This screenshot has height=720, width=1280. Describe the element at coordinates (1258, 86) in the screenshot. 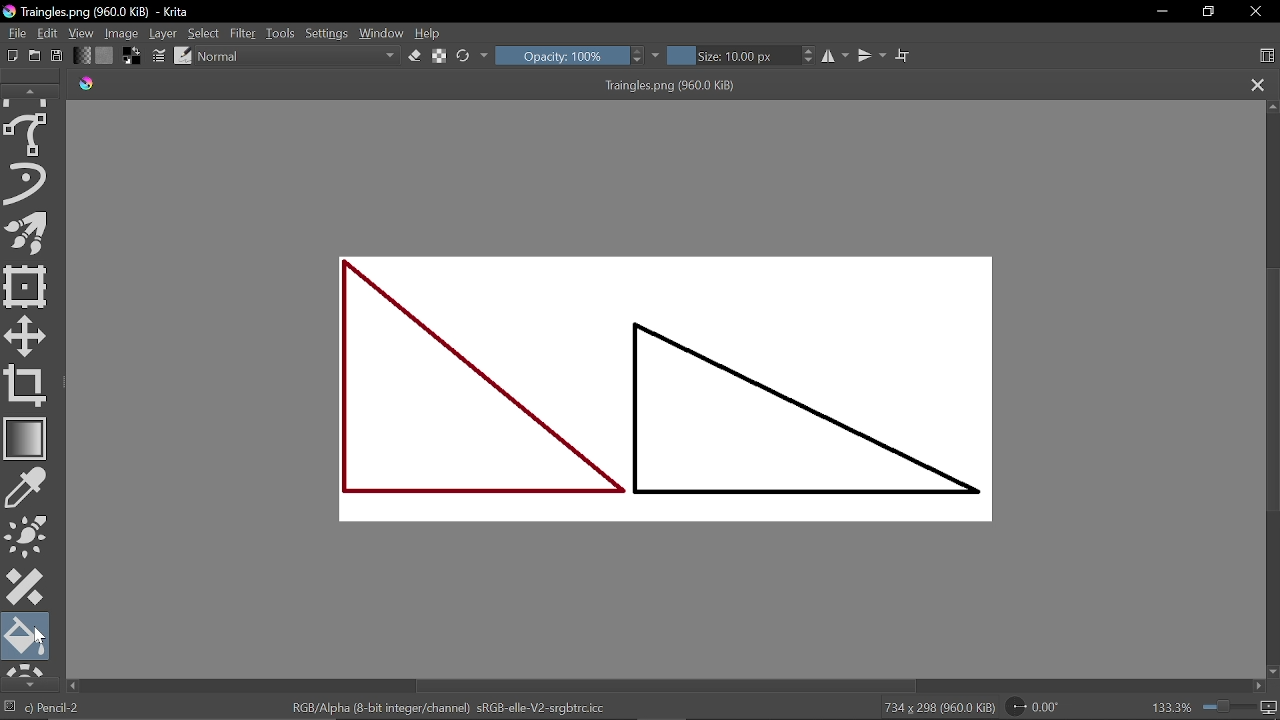

I see `CLose current tab` at that location.